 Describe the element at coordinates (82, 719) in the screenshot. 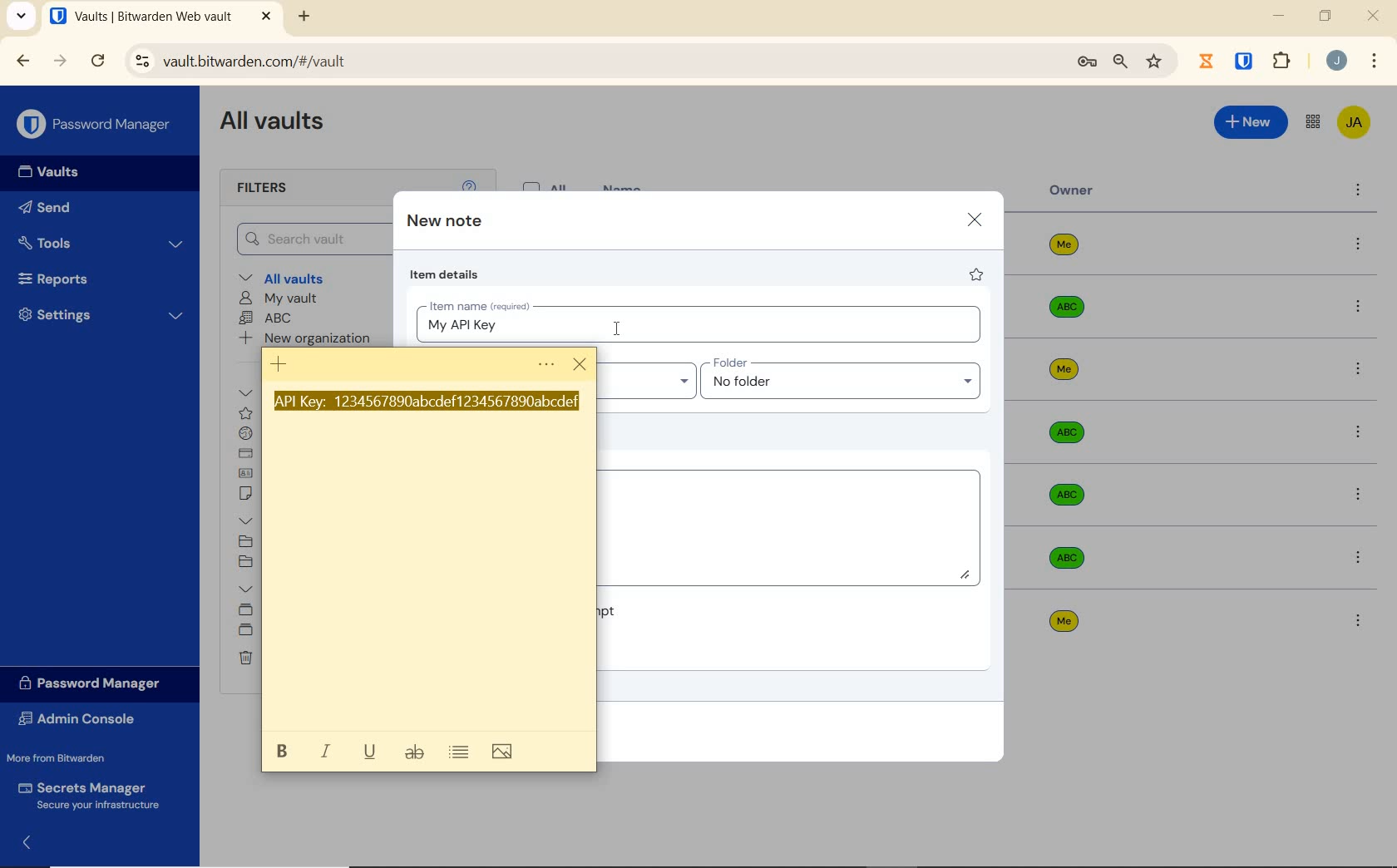

I see `Admin Console` at that location.